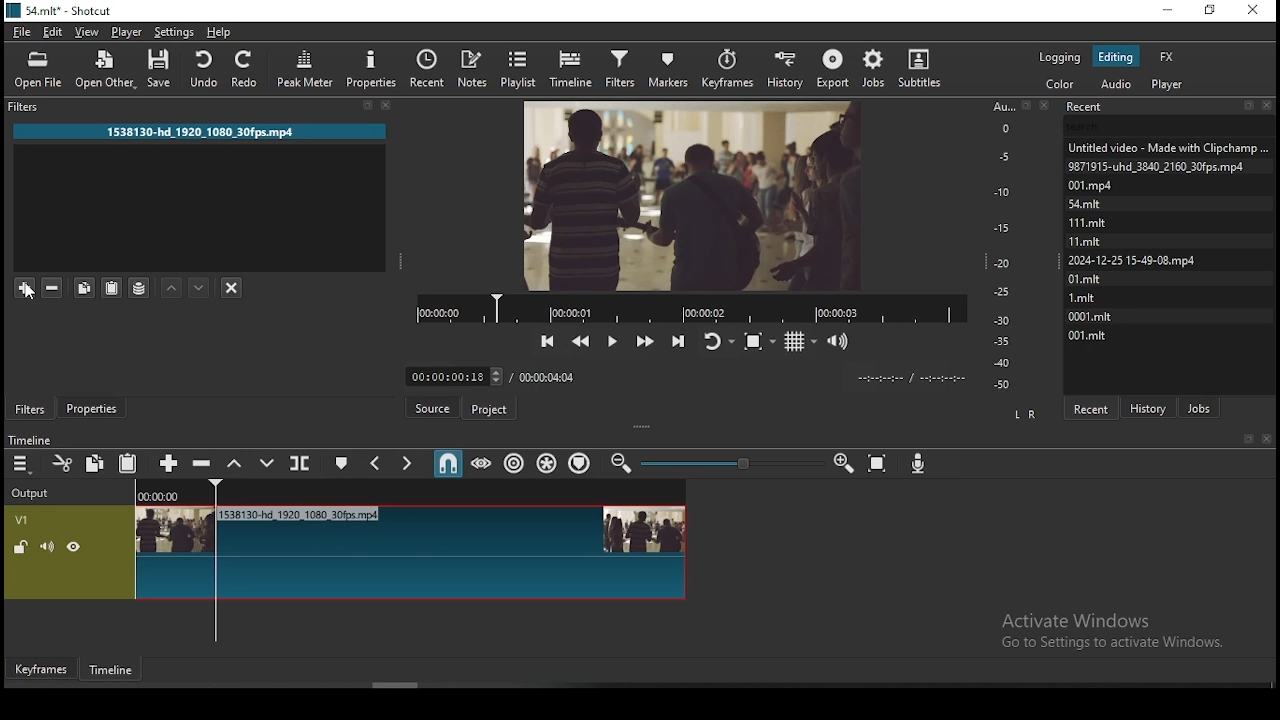  Describe the element at coordinates (685, 307) in the screenshot. I see `video progress bar` at that location.